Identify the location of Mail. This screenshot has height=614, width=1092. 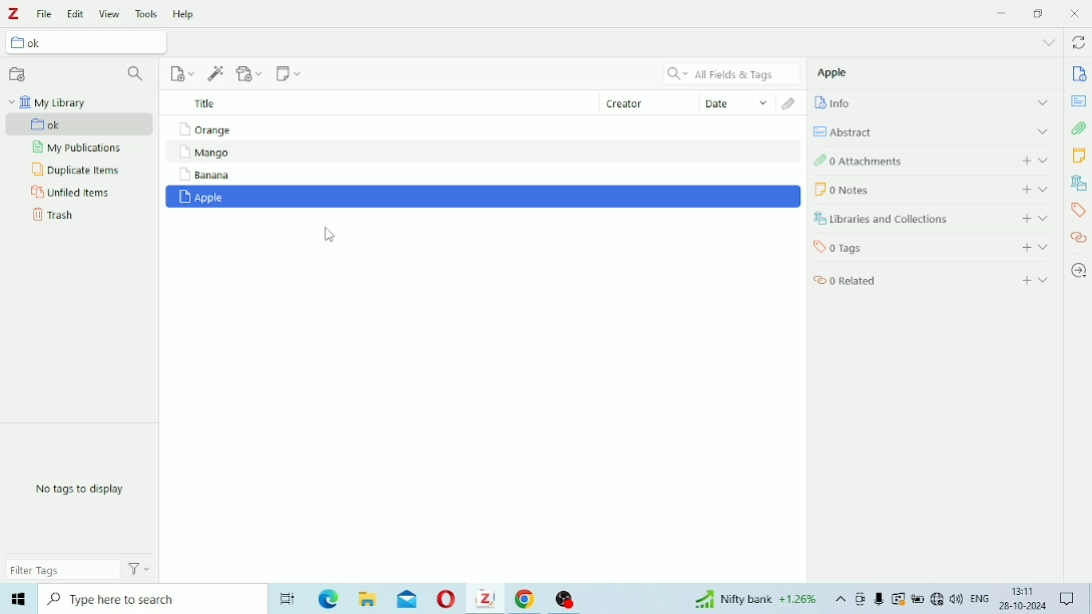
(407, 599).